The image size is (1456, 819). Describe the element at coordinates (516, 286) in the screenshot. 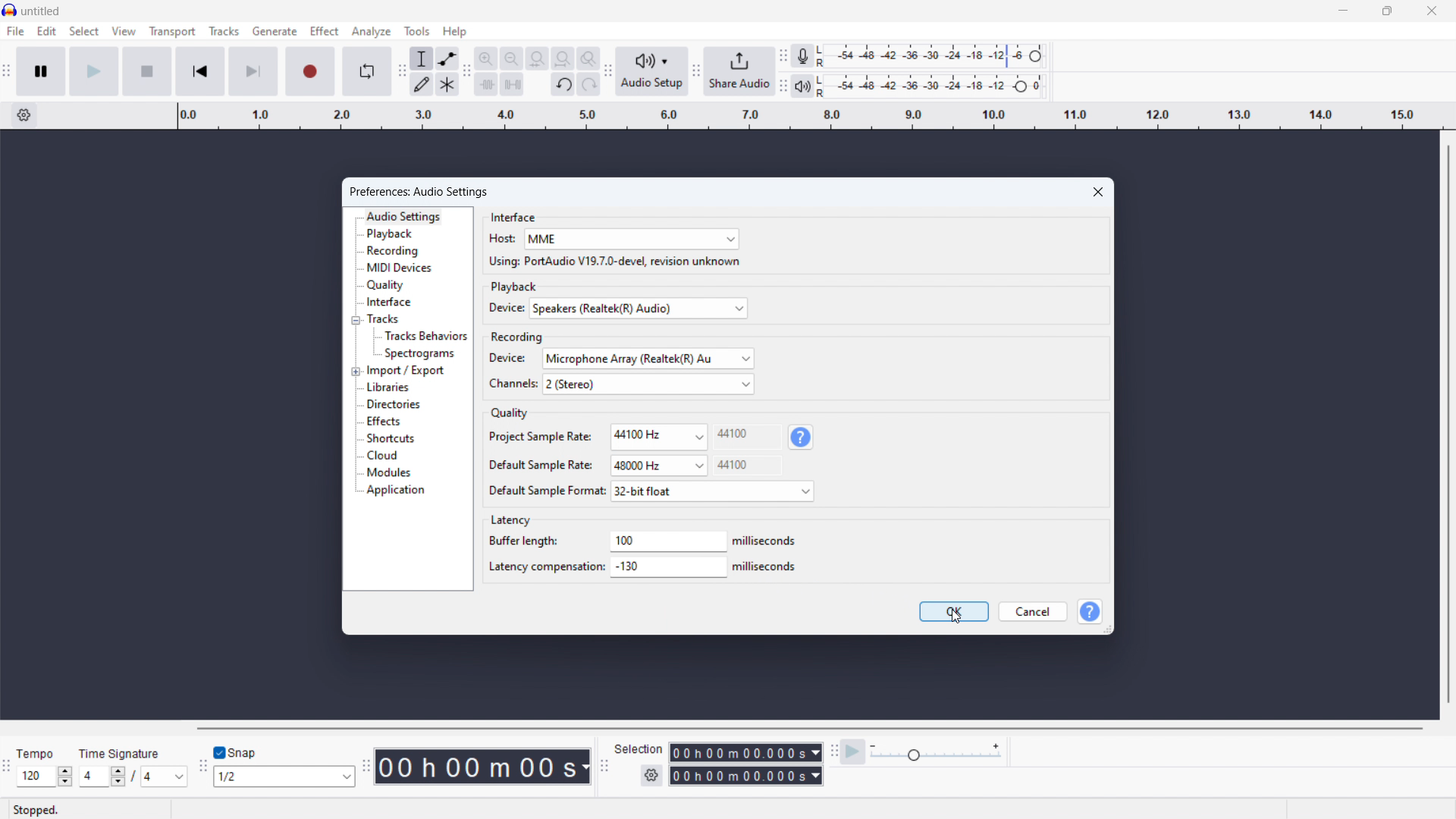

I see `playback` at that location.